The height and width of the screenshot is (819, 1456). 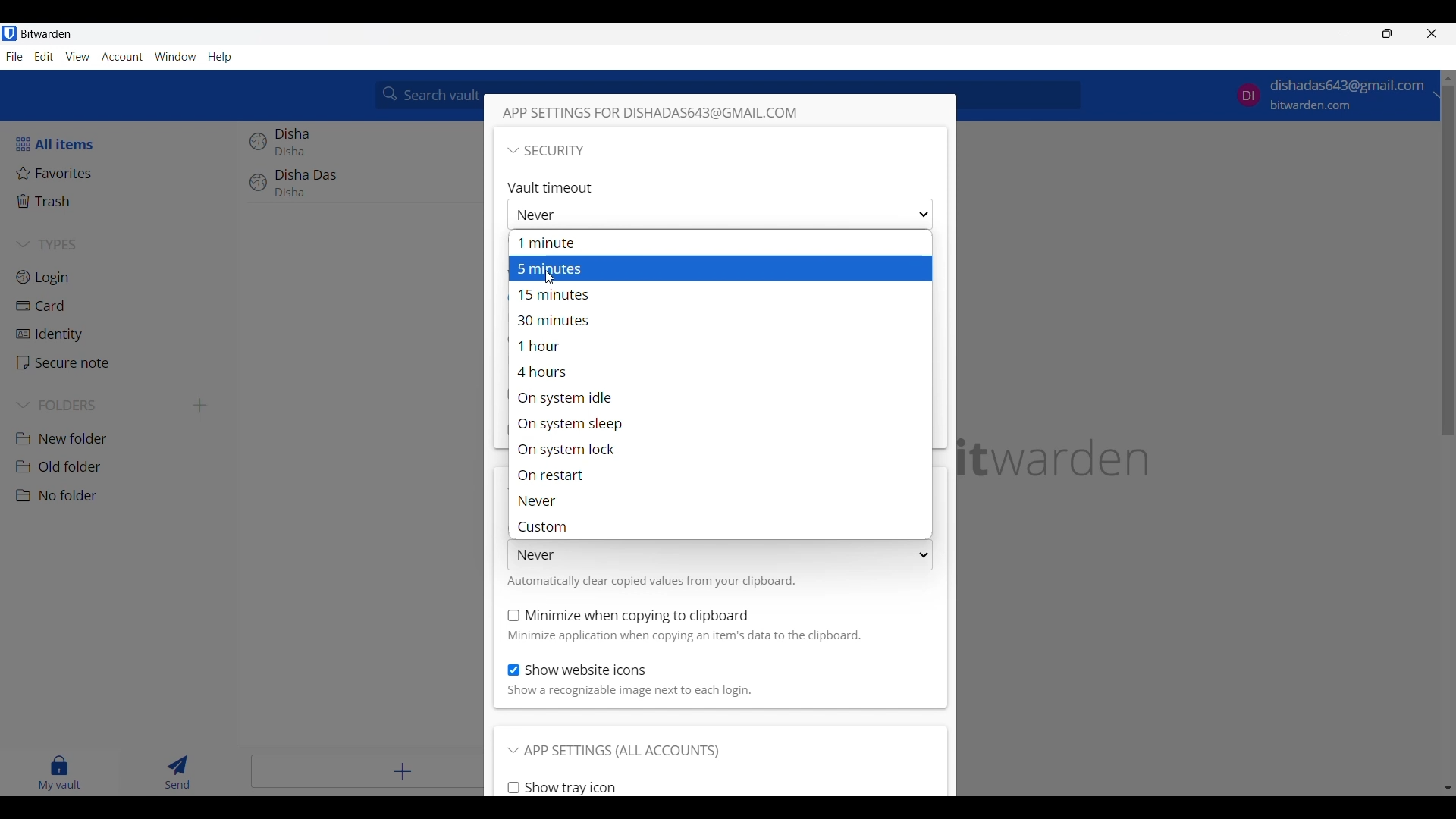 What do you see at coordinates (629, 616) in the screenshot?
I see `Toggle for Minimize when copying to clipboard` at bounding box center [629, 616].